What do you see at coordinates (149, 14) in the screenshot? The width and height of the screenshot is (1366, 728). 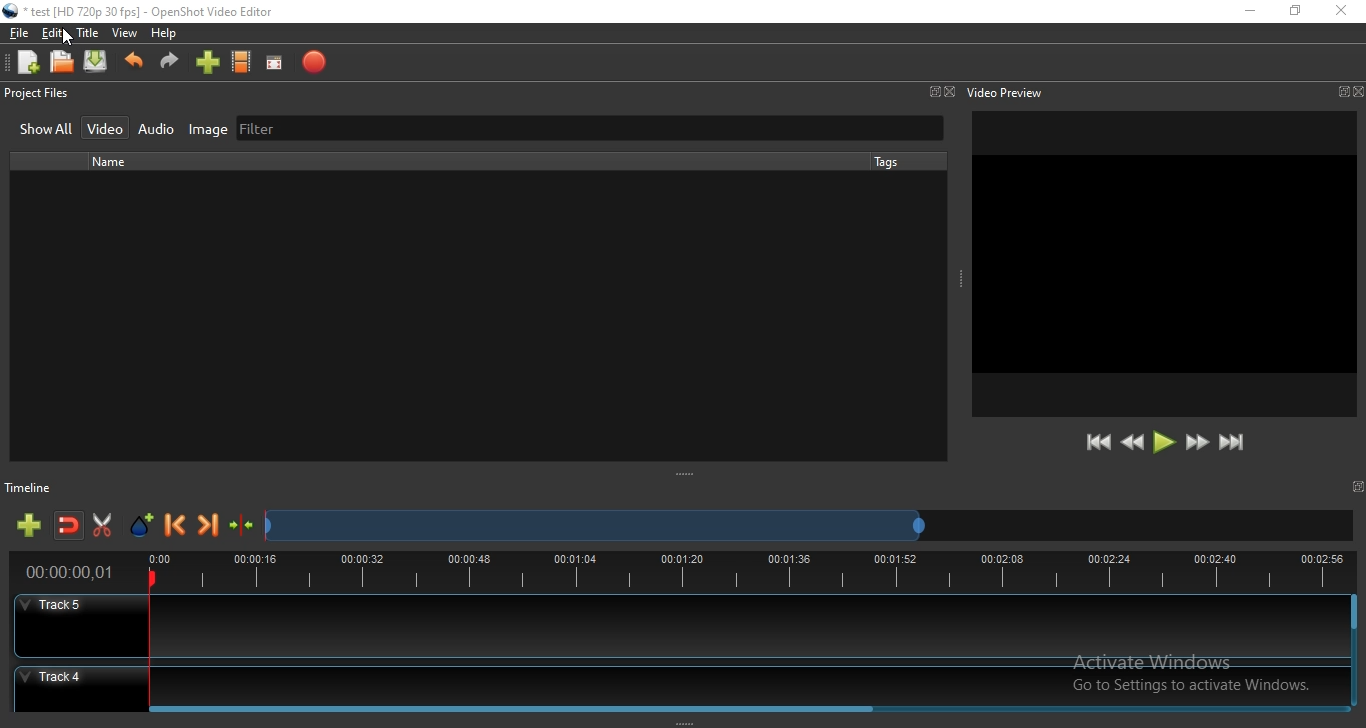 I see `" test [HD 720p 30 fps] - OpenShot Video Editor` at bounding box center [149, 14].